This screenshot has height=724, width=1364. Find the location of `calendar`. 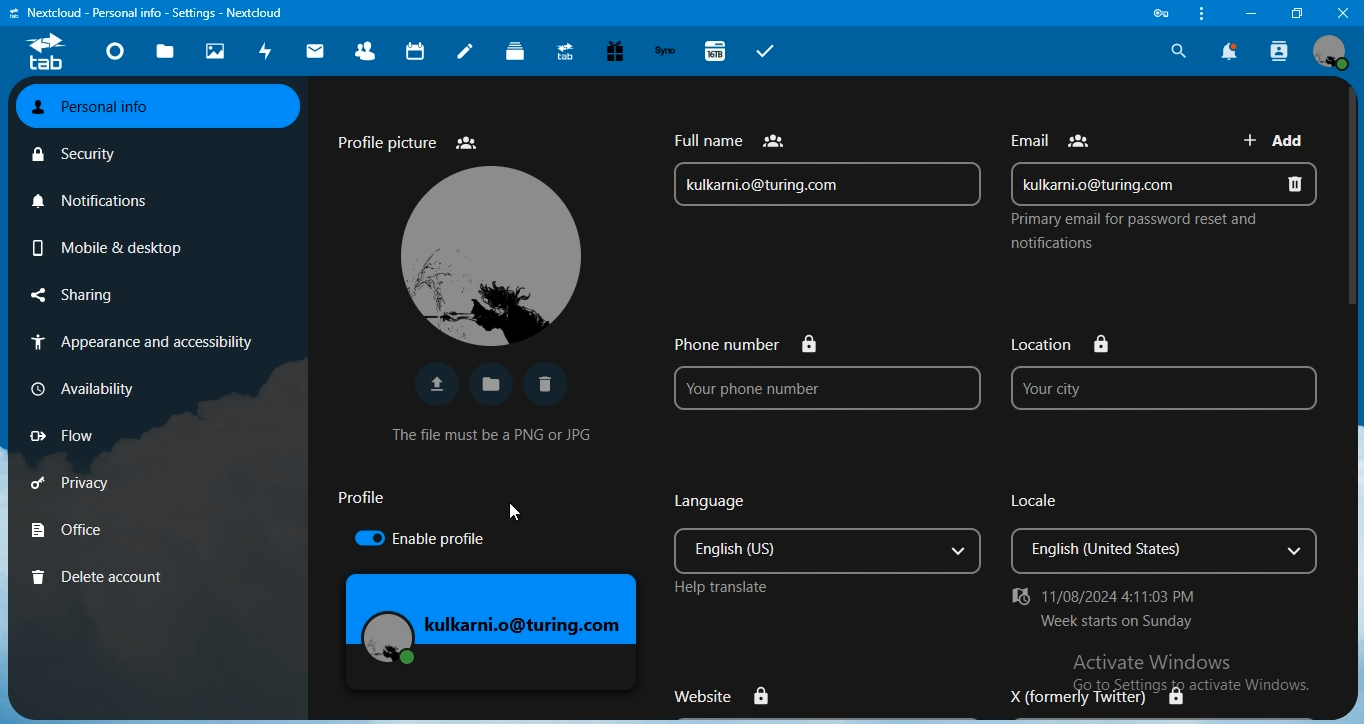

calendar is located at coordinates (416, 50).